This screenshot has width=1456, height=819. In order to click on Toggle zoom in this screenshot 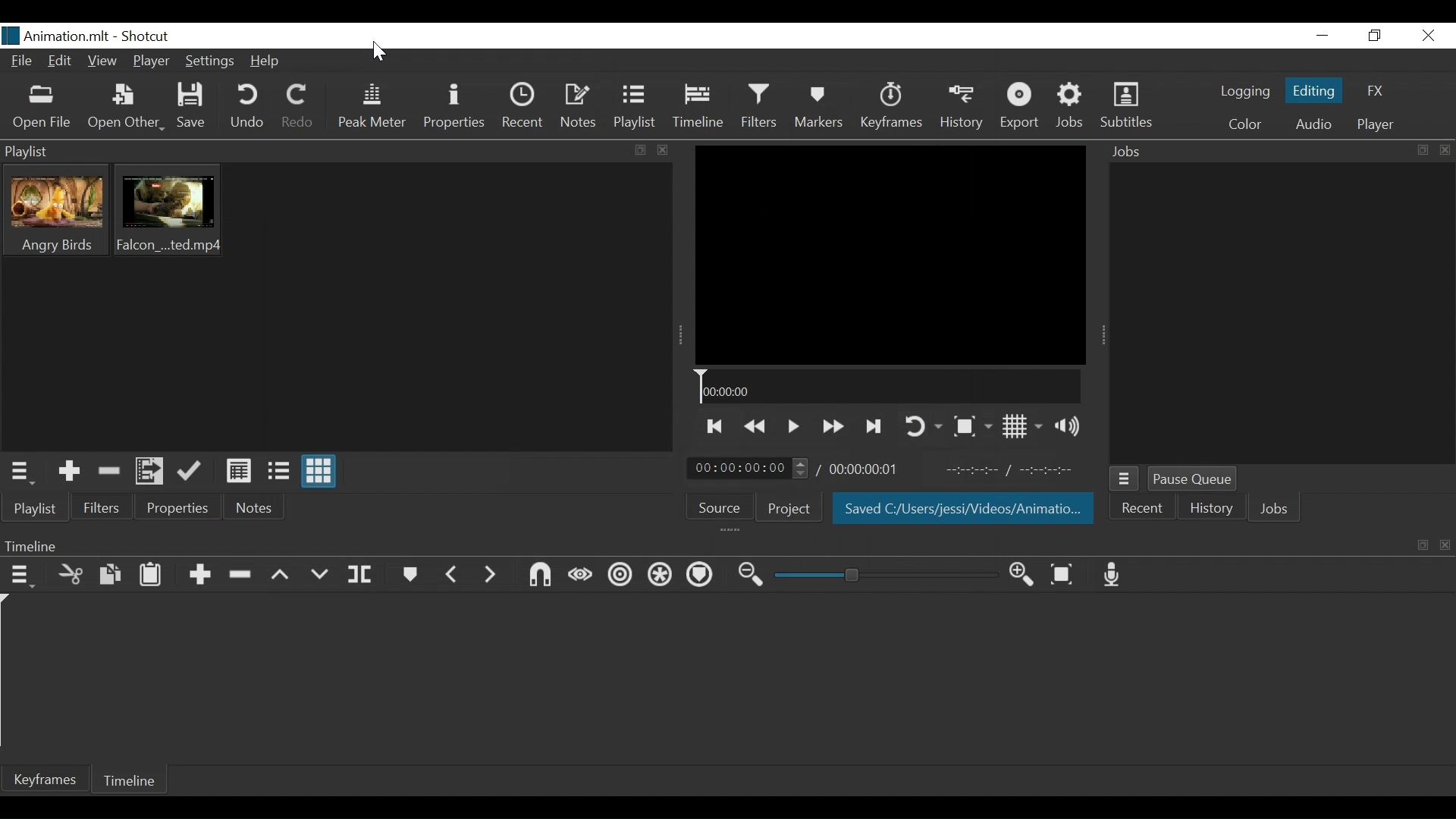, I will do `click(972, 425)`.